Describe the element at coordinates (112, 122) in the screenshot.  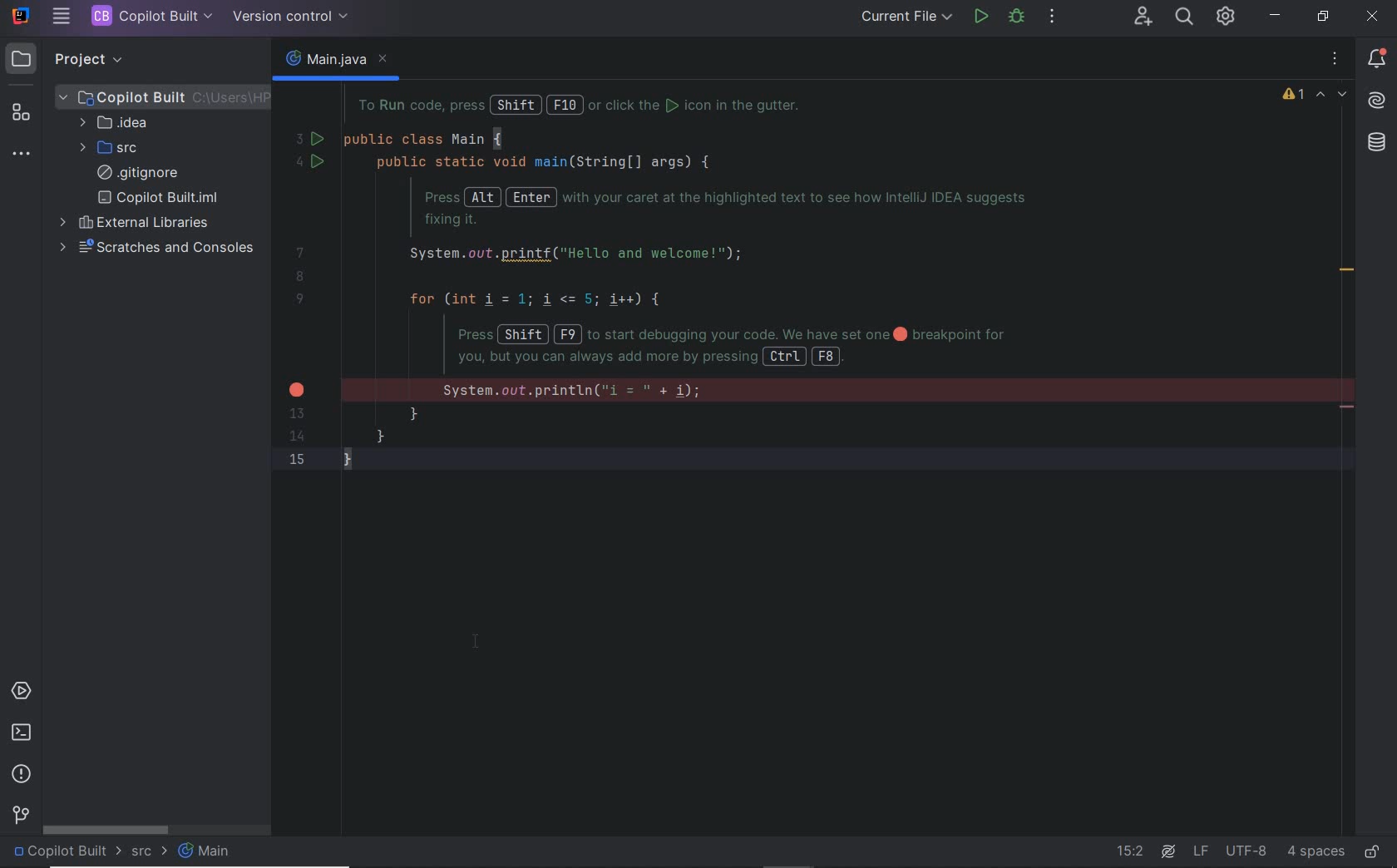
I see `IDEA` at that location.